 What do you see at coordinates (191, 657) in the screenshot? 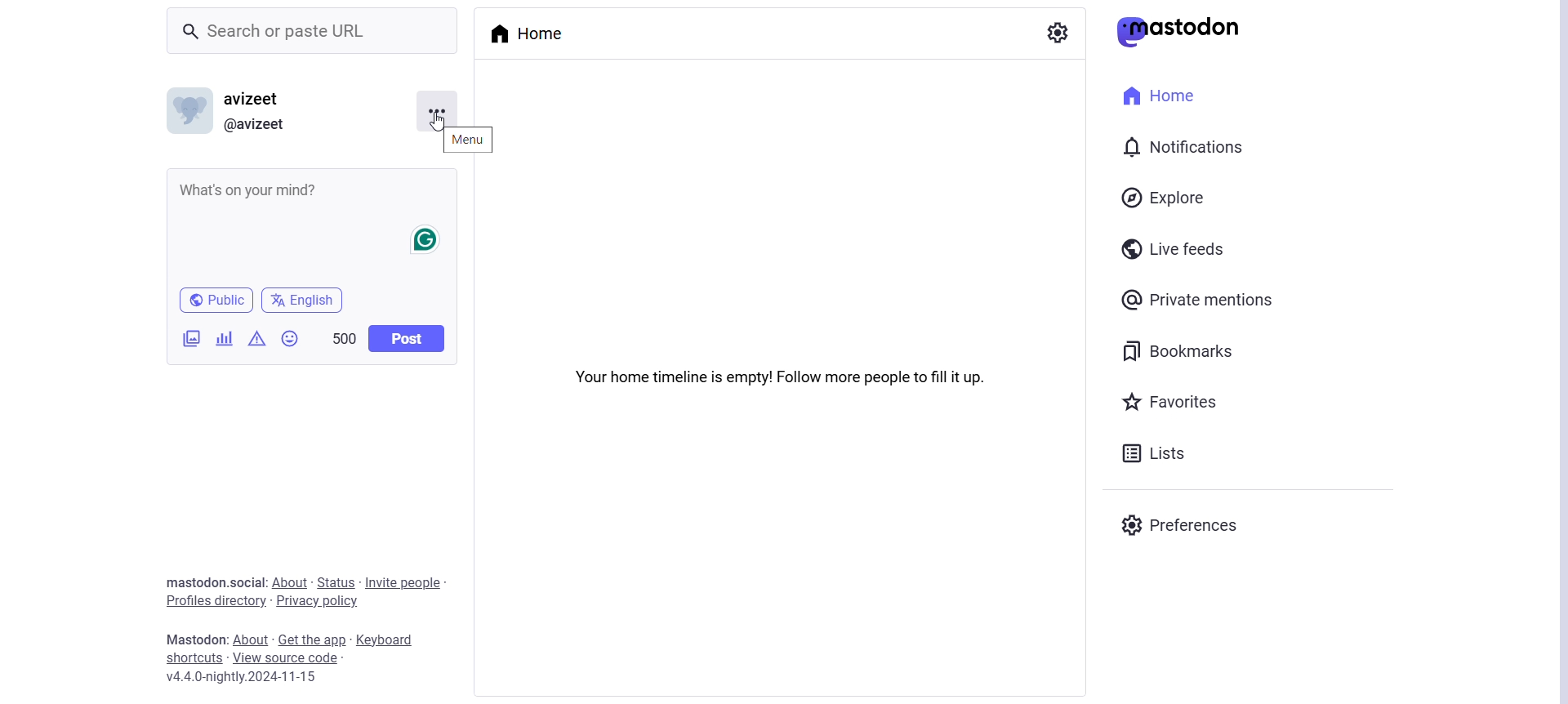
I see `Shortcuts` at bounding box center [191, 657].